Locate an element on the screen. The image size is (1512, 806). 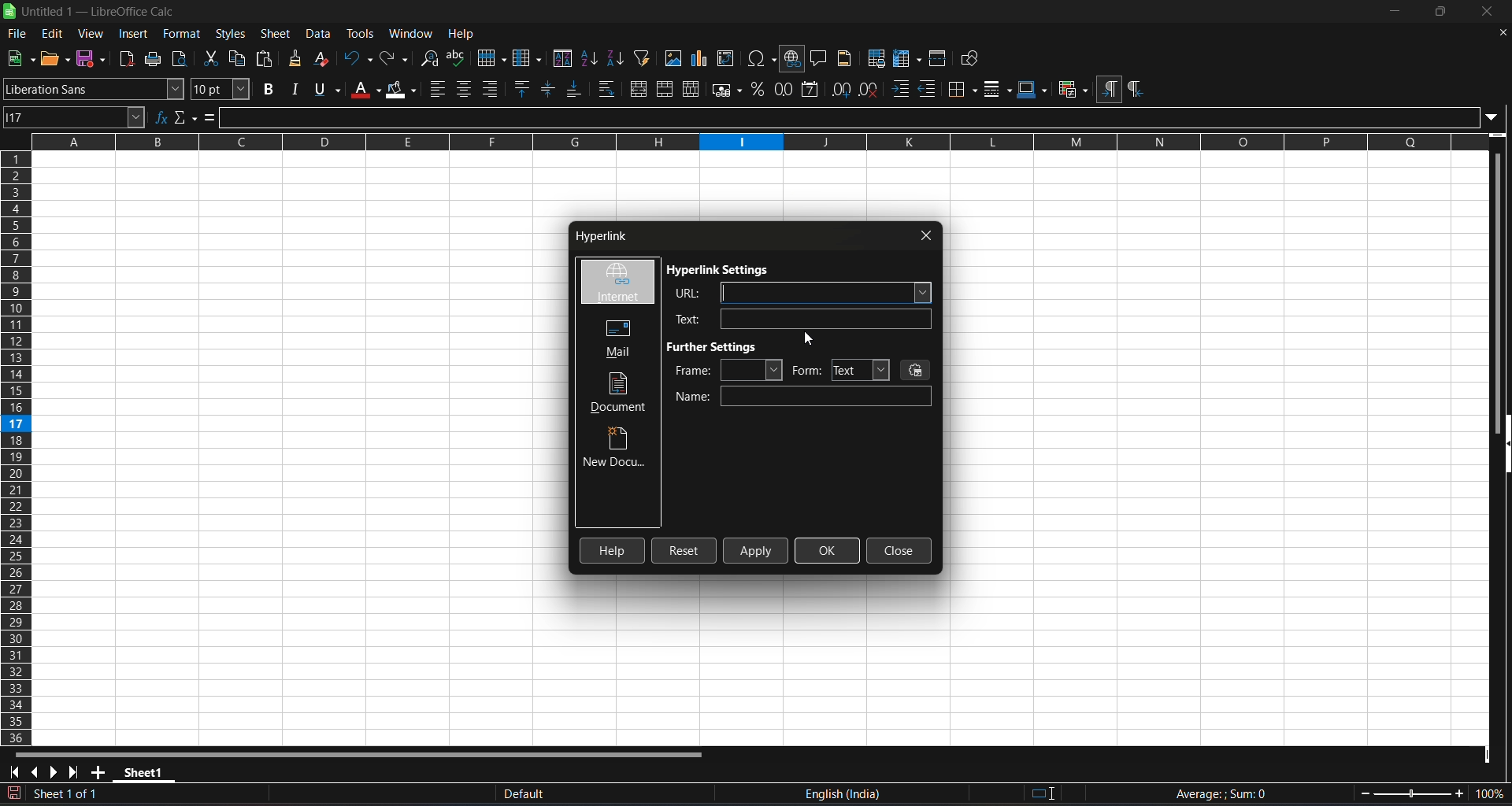
format as date is located at coordinates (812, 90).